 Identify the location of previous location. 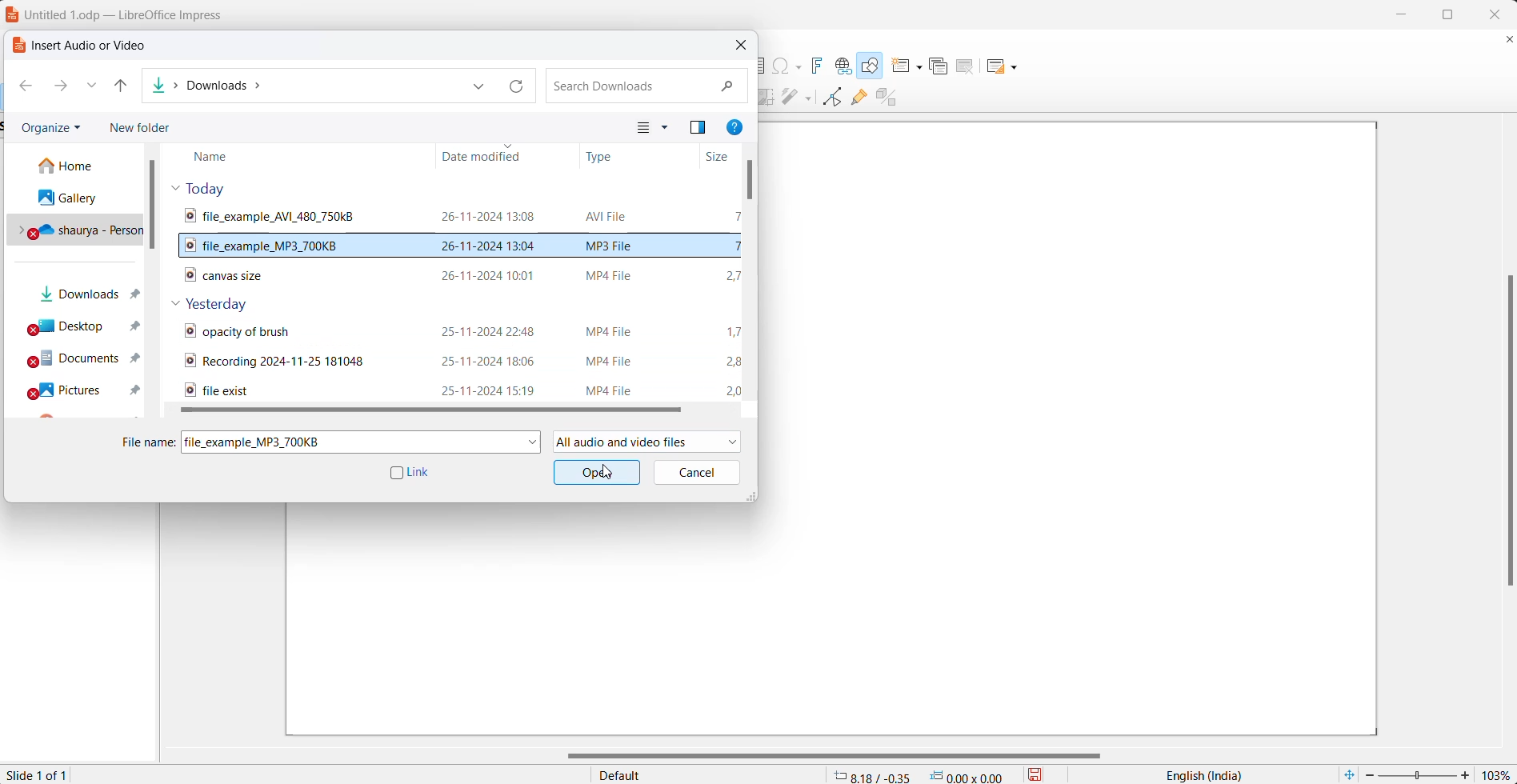
(479, 87).